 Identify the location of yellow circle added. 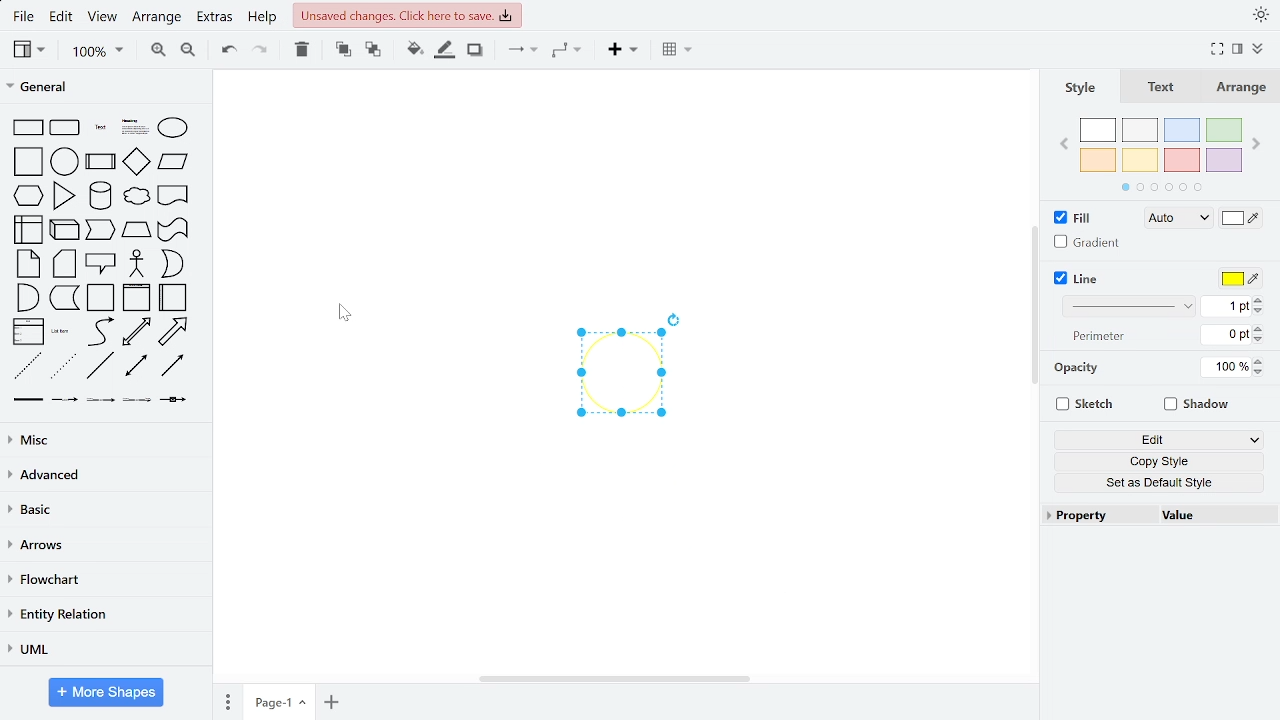
(620, 373).